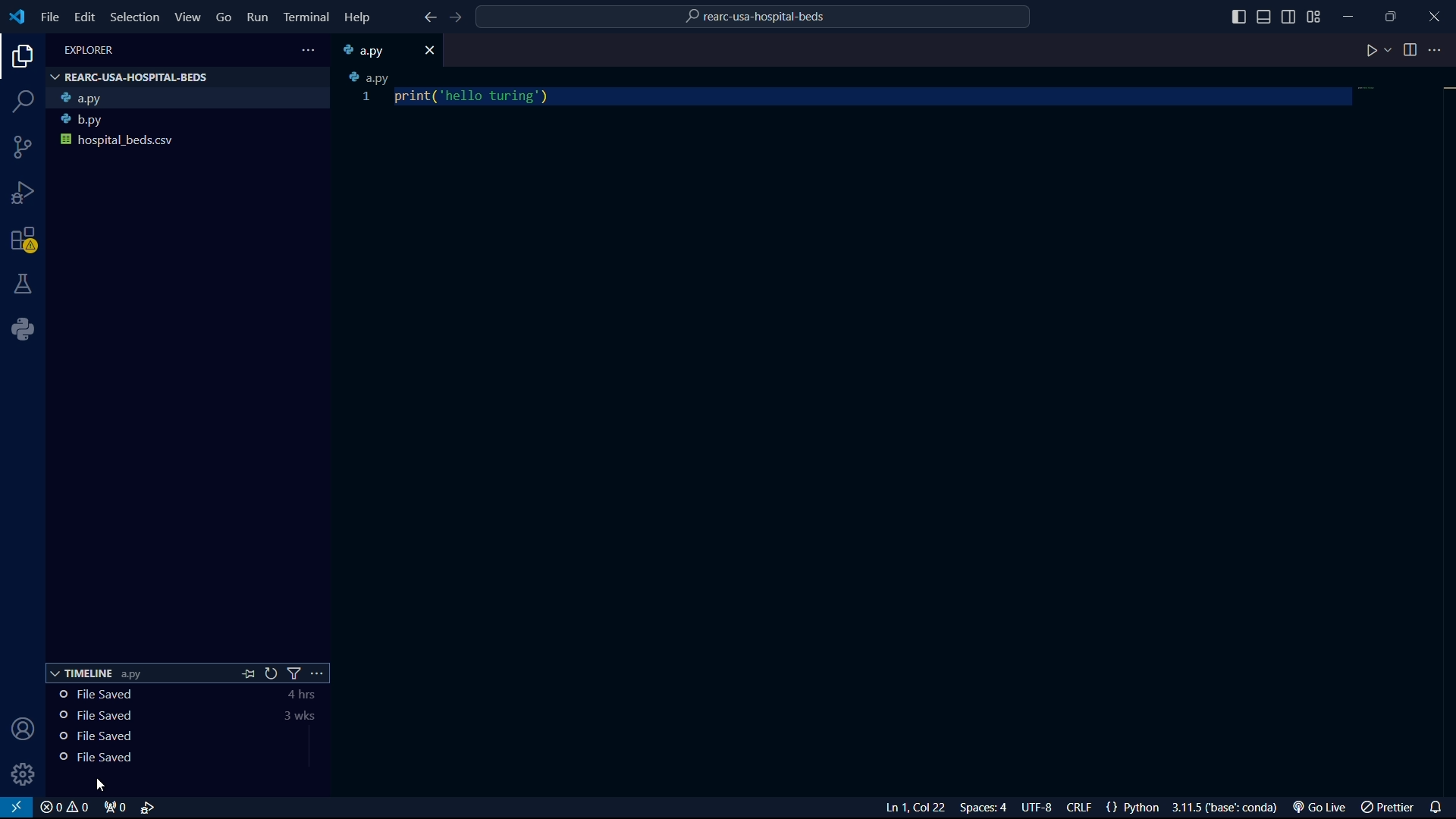 The height and width of the screenshot is (819, 1456). What do you see at coordinates (455, 17) in the screenshot?
I see `go forward` at bounding box center [455, 17].